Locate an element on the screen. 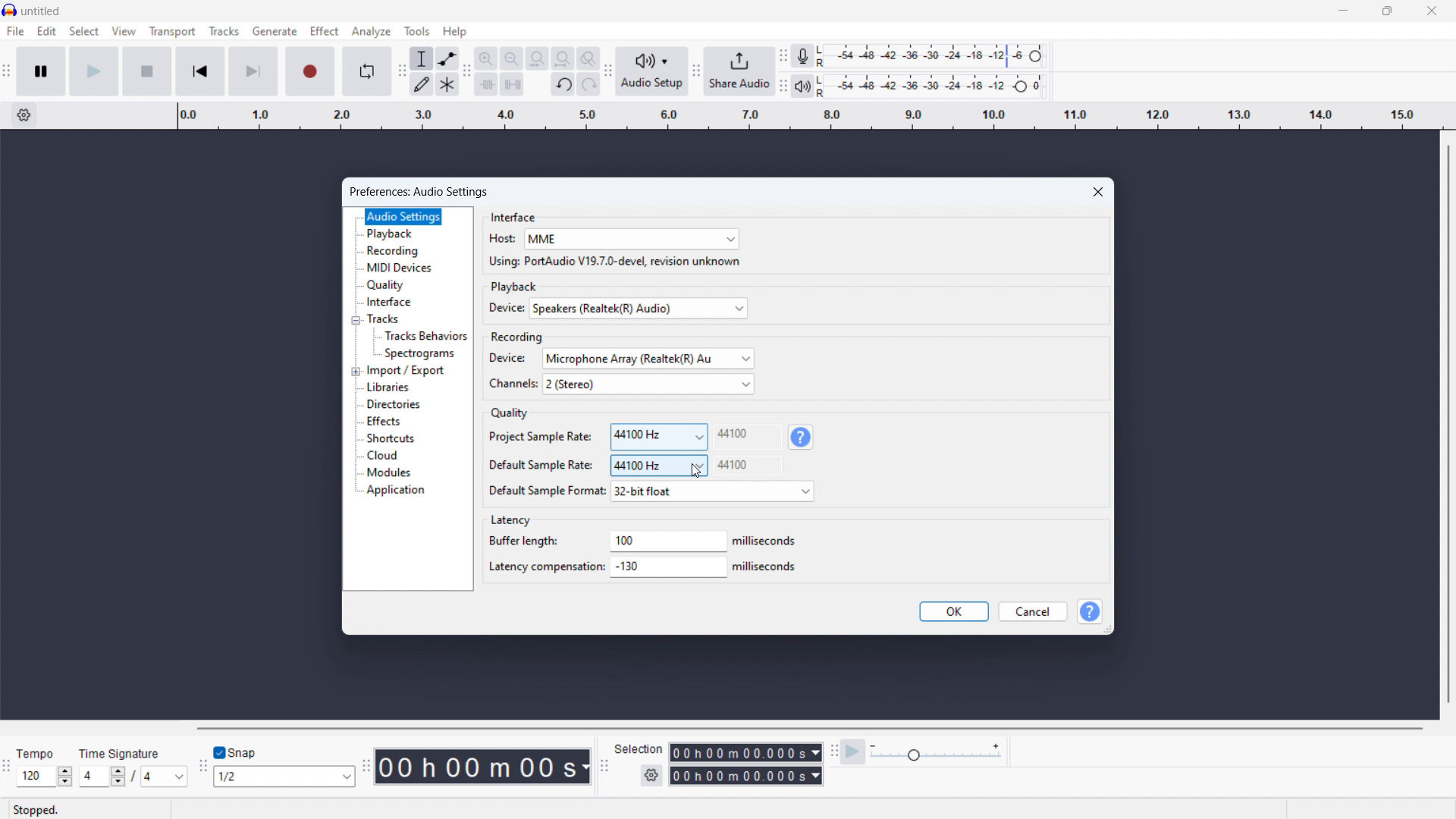 This screenshot has height=819, width=1456. close is located at coordinates (1100, 191).